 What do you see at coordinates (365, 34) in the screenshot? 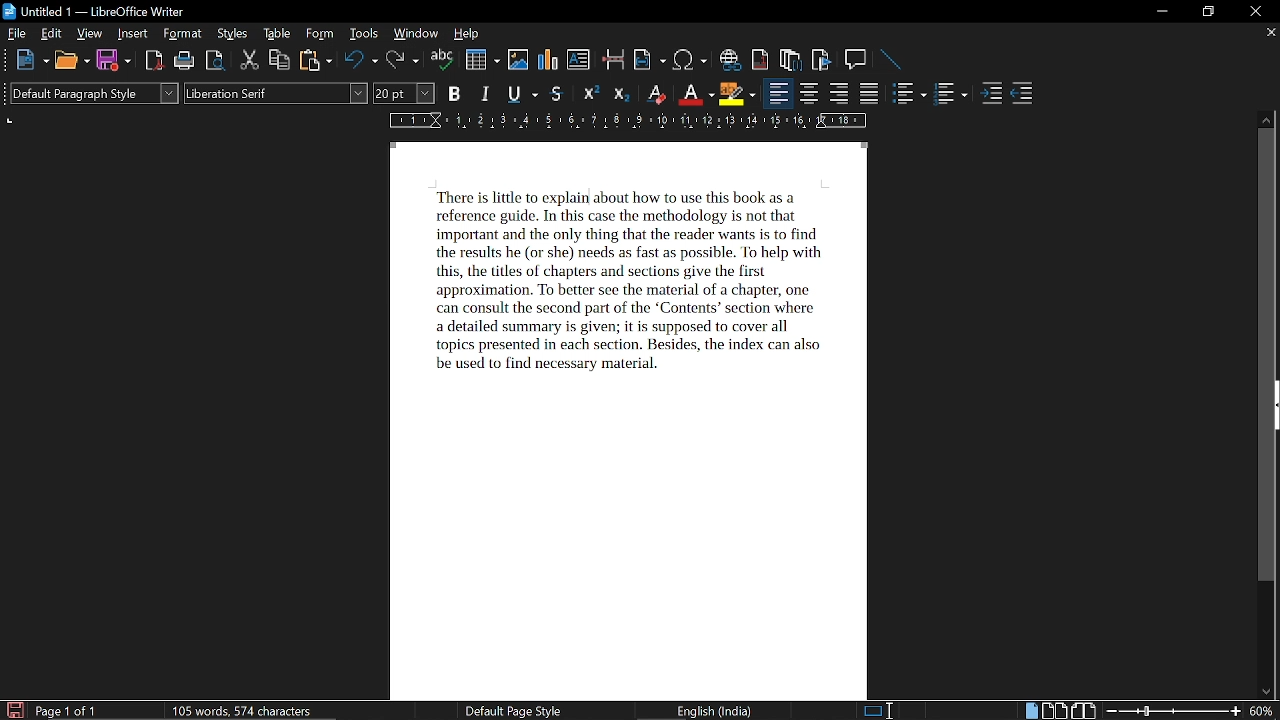
I see `tools` at bounding box center [365, 34].